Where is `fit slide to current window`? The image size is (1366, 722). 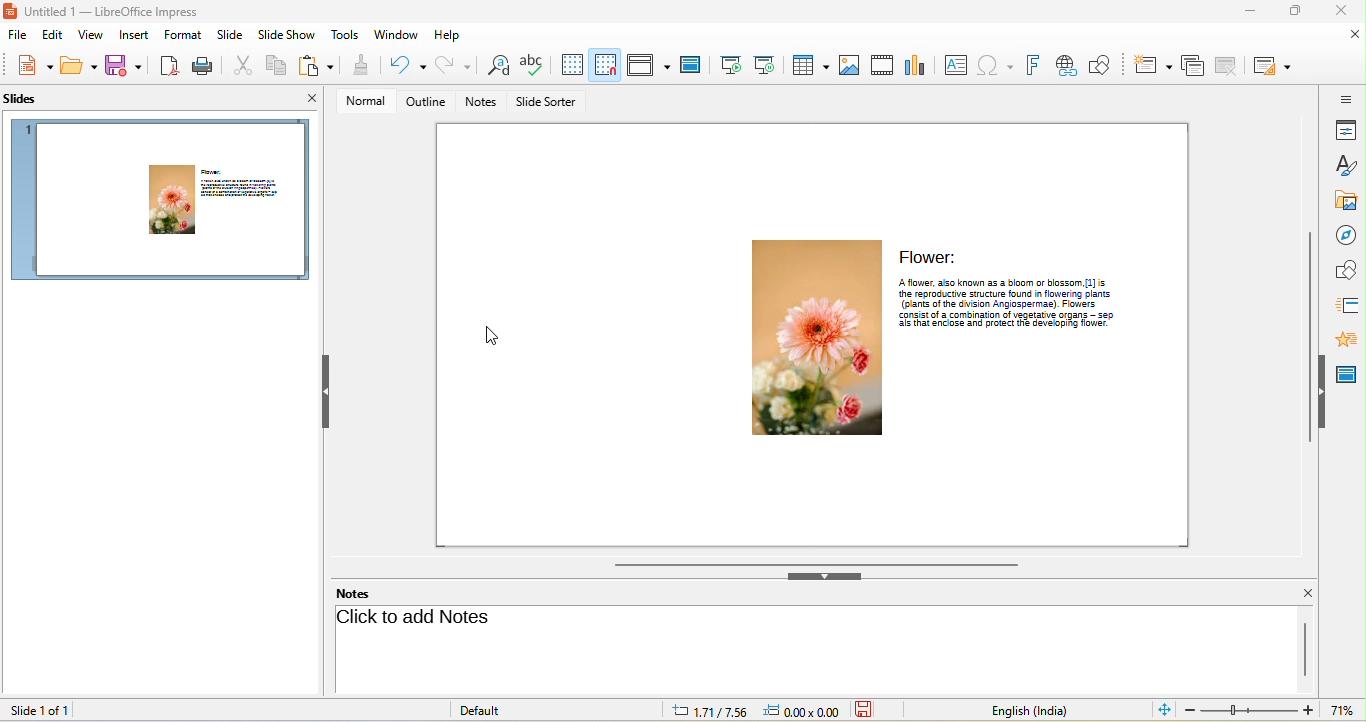 fit slide to current window is located at coordinates (1162, 710).